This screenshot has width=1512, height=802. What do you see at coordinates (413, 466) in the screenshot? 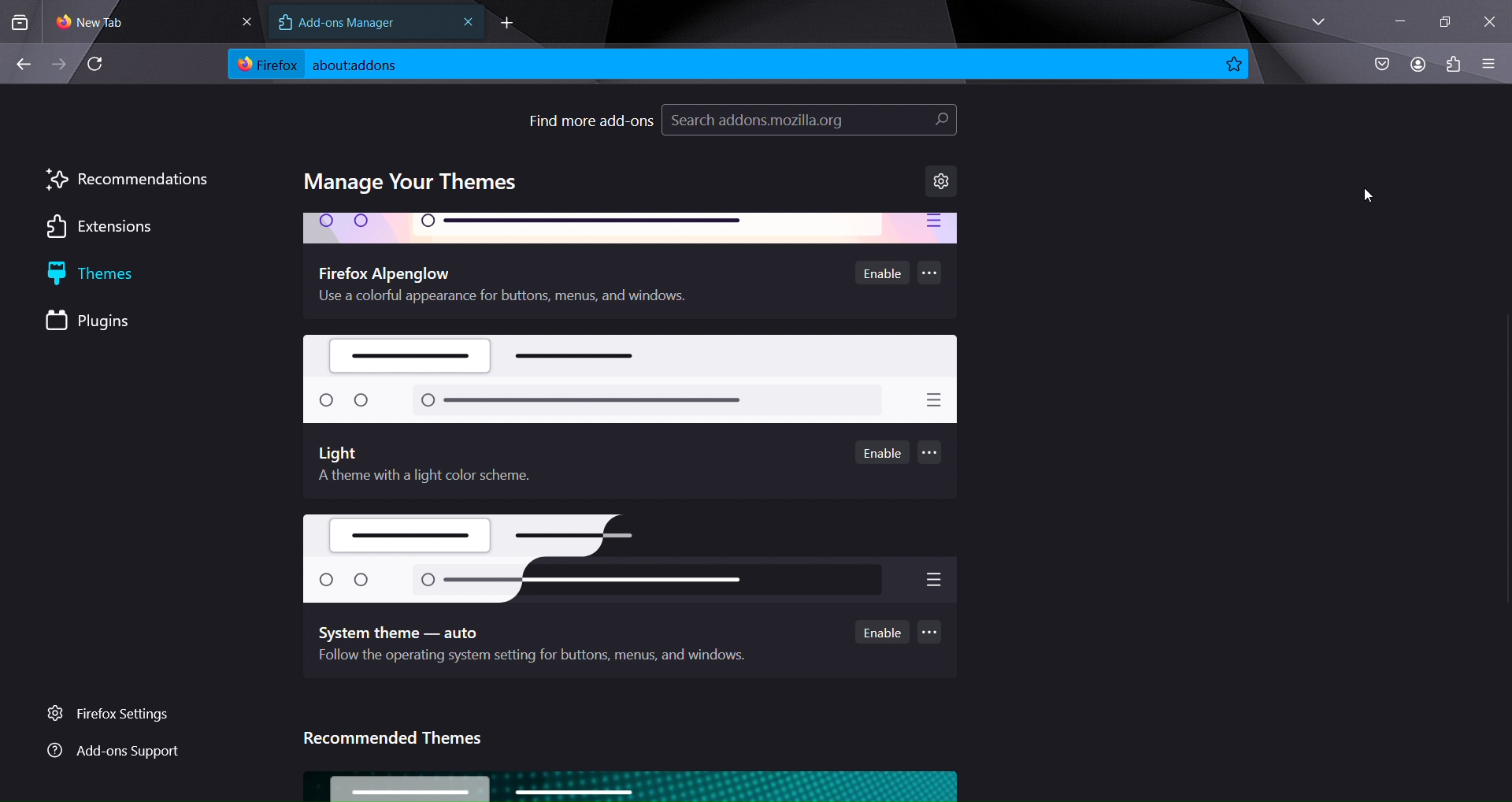
I see `Light
A theme with a light color scheme.` at bounding box center [413, 466].